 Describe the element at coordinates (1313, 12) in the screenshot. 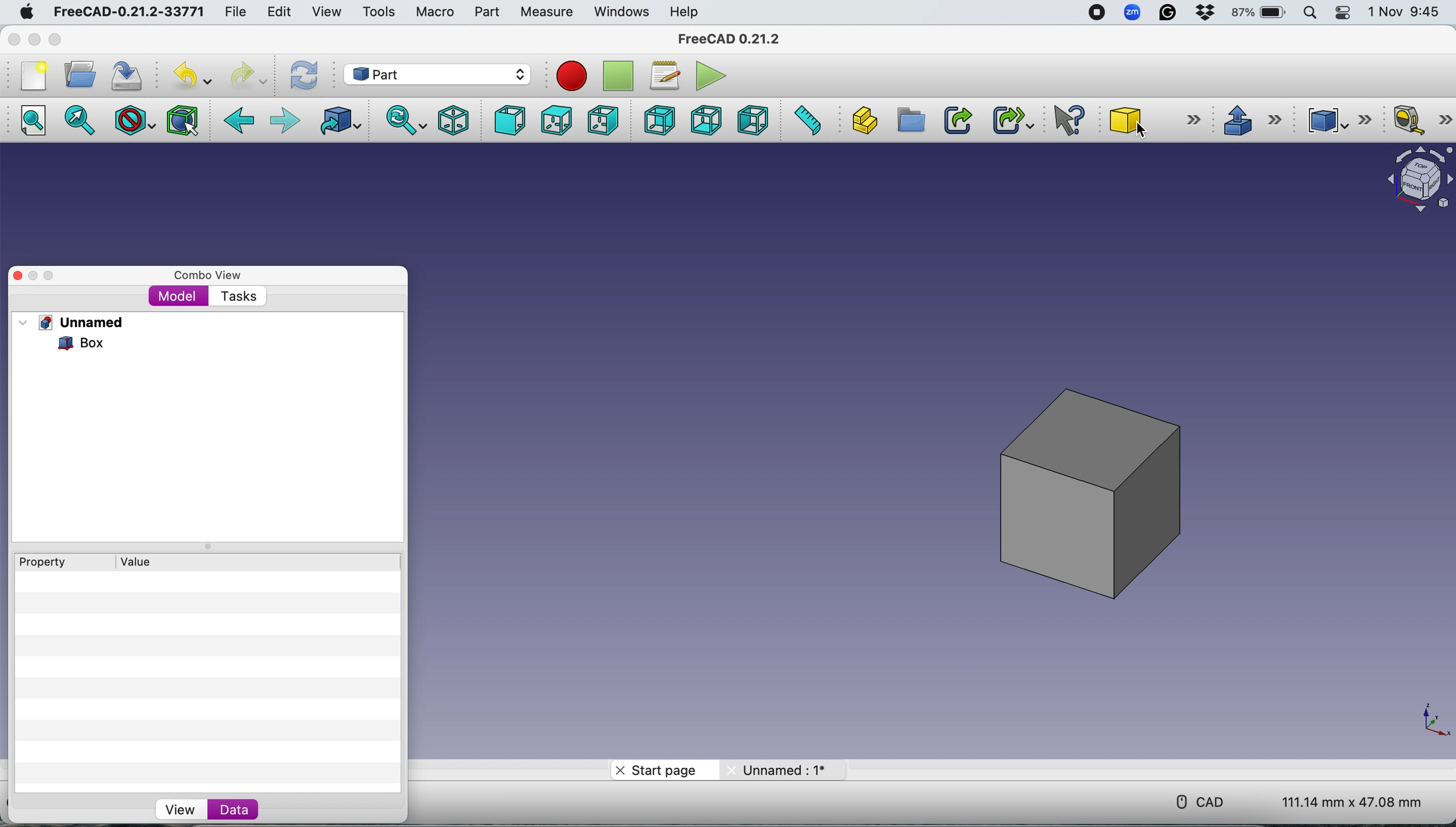

I see `Spotlight search` at that location.